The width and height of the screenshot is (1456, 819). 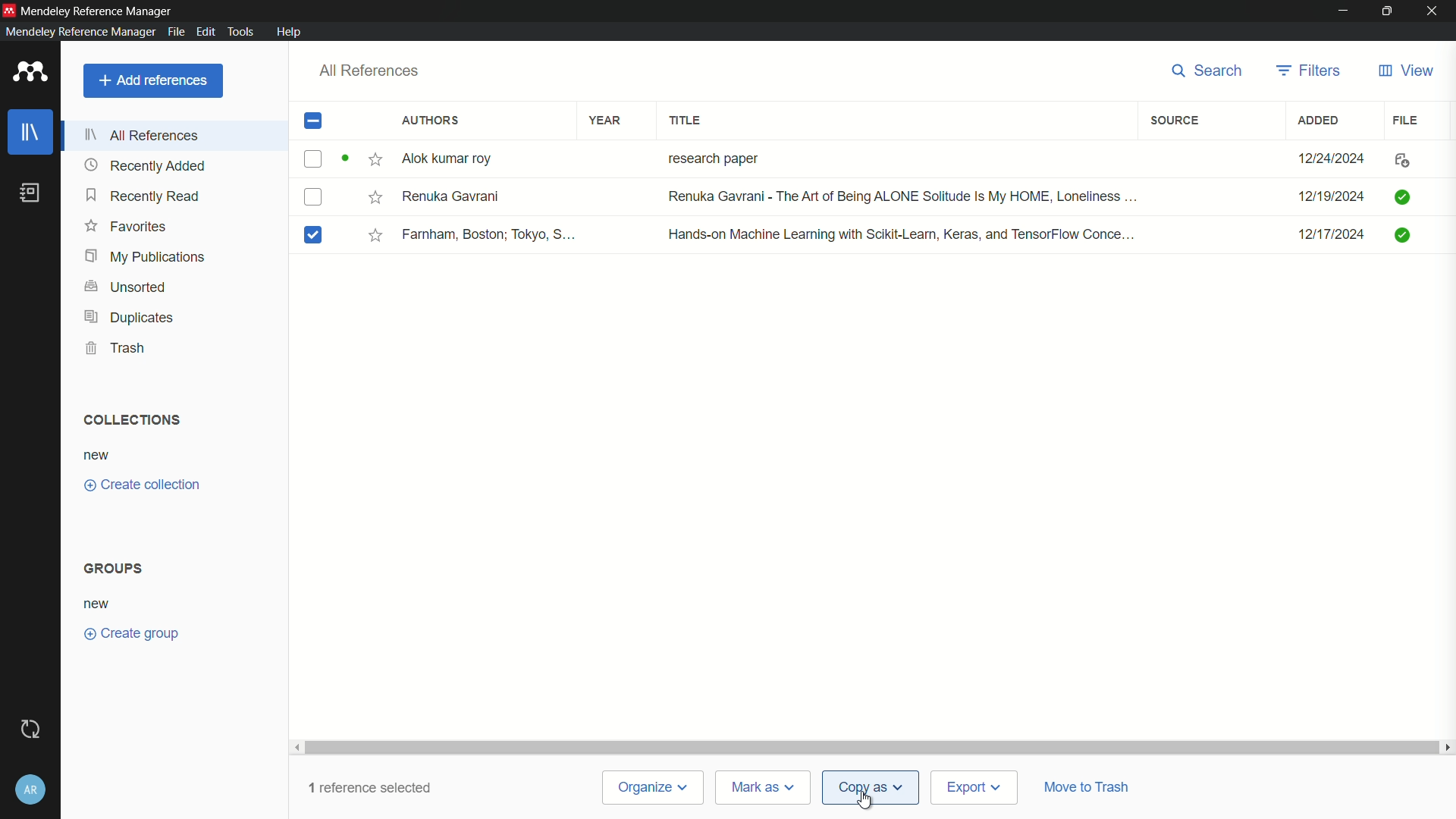 I want to click on Mark it star, so click(x=374, y=235).